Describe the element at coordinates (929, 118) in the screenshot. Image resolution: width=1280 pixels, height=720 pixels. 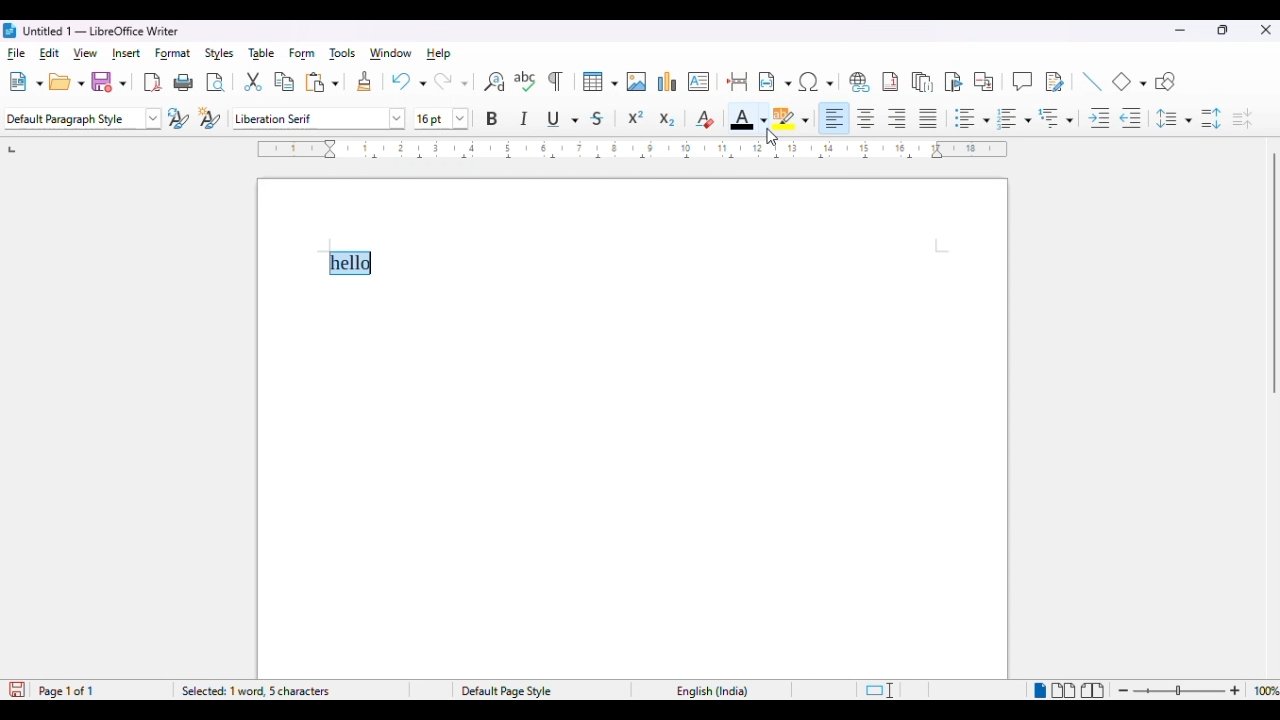
I see `justified` at that location.